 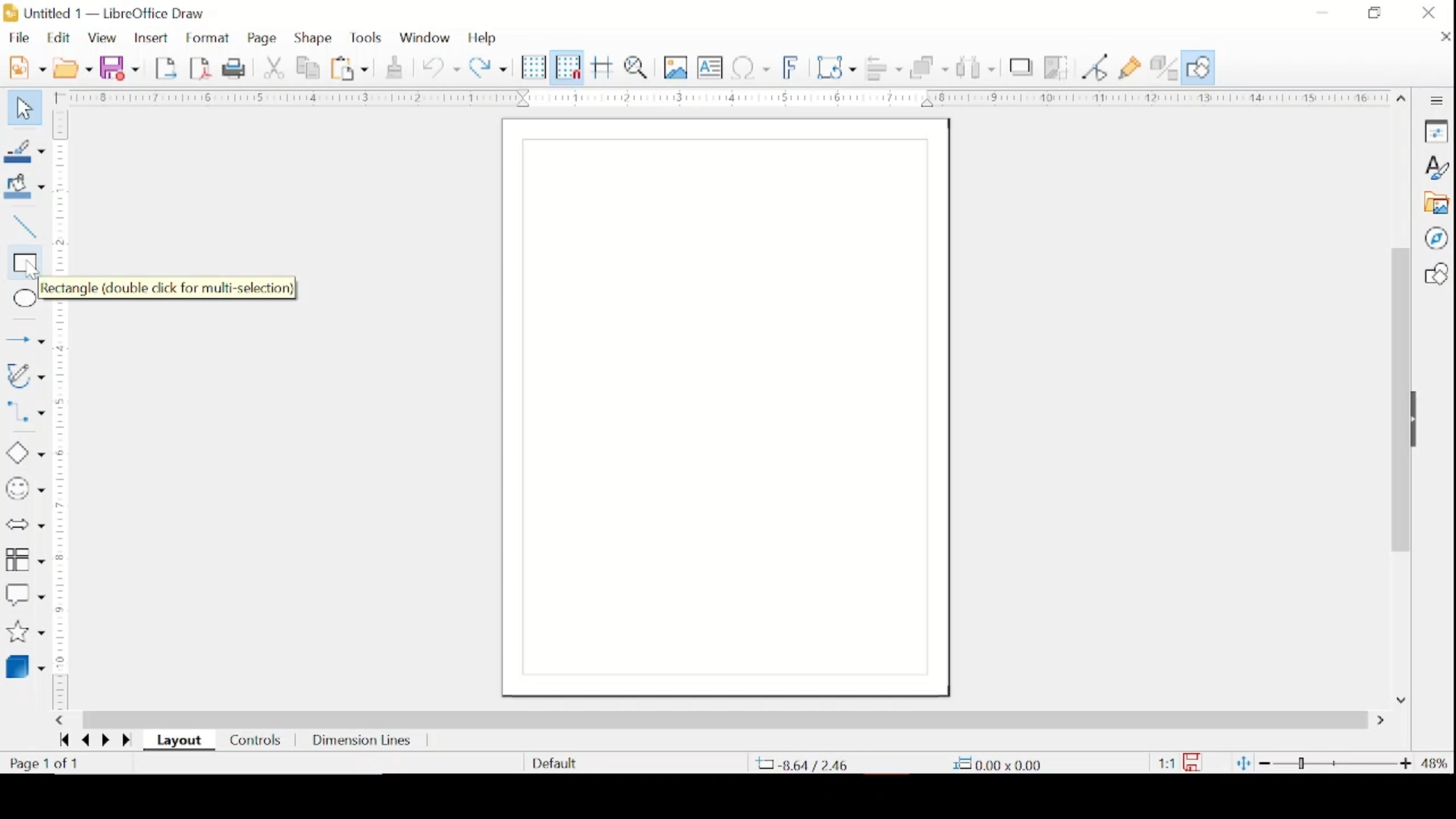 What do you see at coordinates (24, 526) in the screenshot?
I see `insert block arrow` at bounding box center [24, 526].